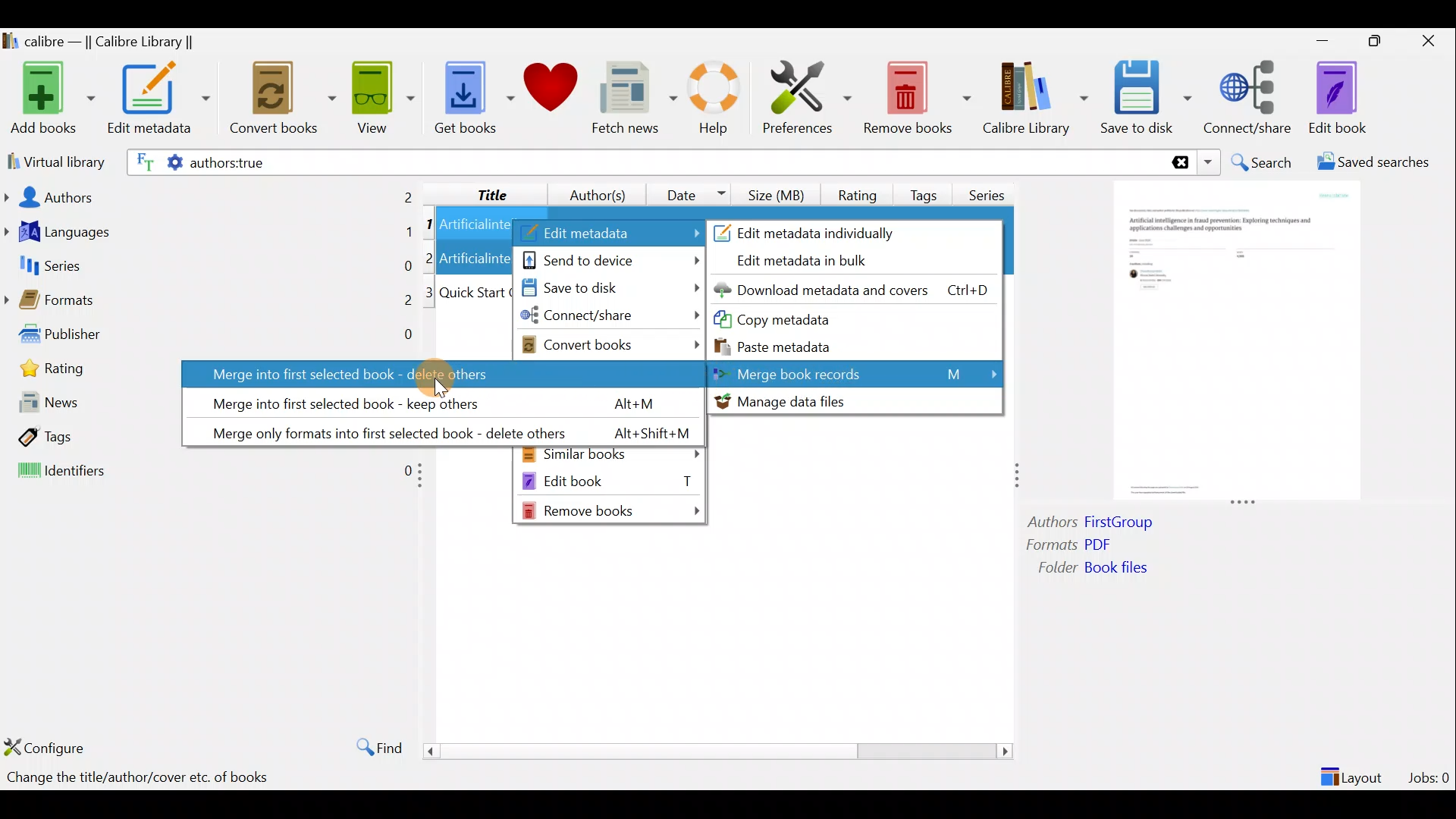 The image size is (1456, 819). What do you see at coordinates (780, 193) in the screenshot?
I see `Size` at bounding box center [780, 193].